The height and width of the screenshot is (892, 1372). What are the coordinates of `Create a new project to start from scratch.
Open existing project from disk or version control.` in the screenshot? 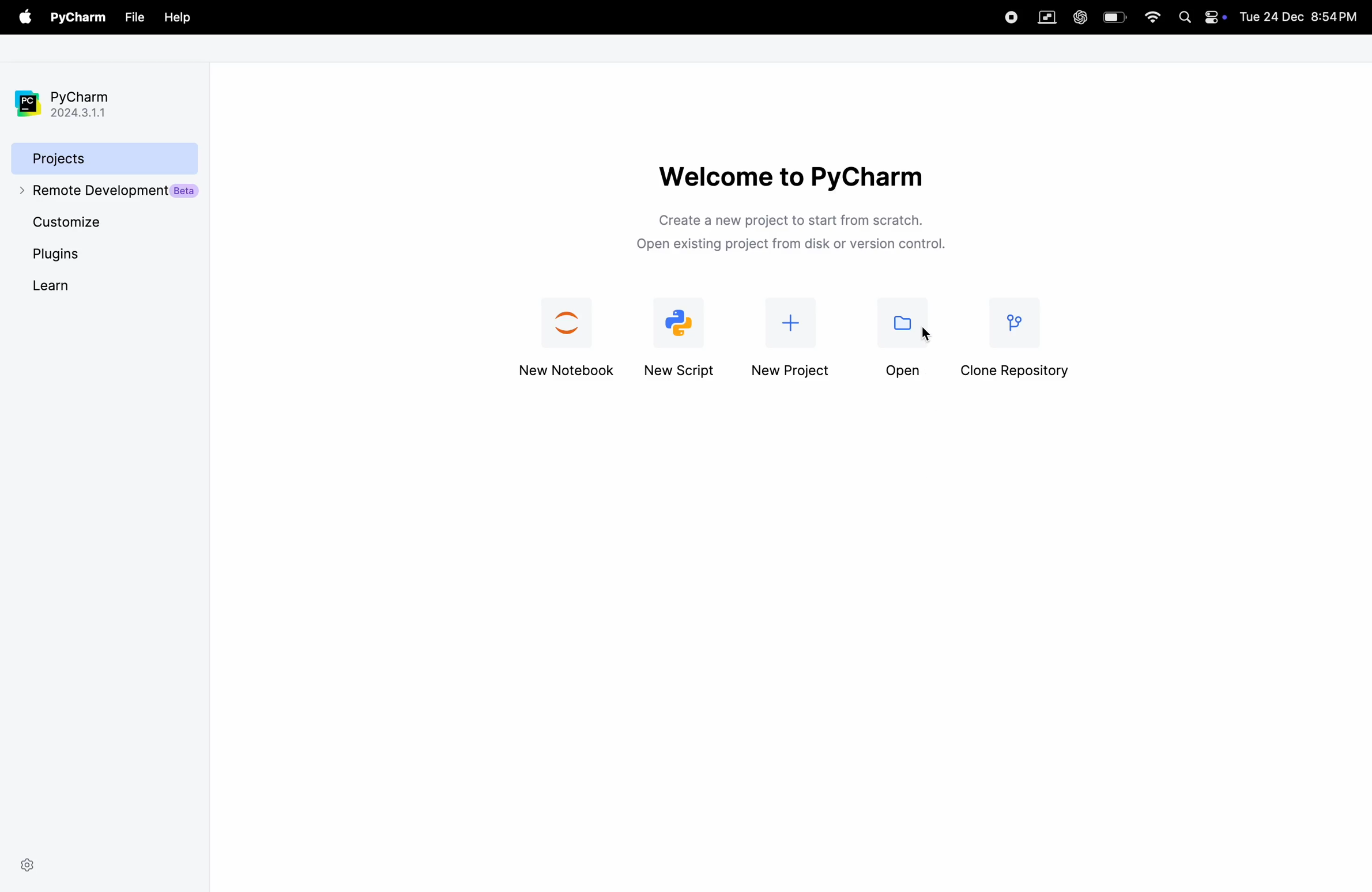 It's located at (793, 230).